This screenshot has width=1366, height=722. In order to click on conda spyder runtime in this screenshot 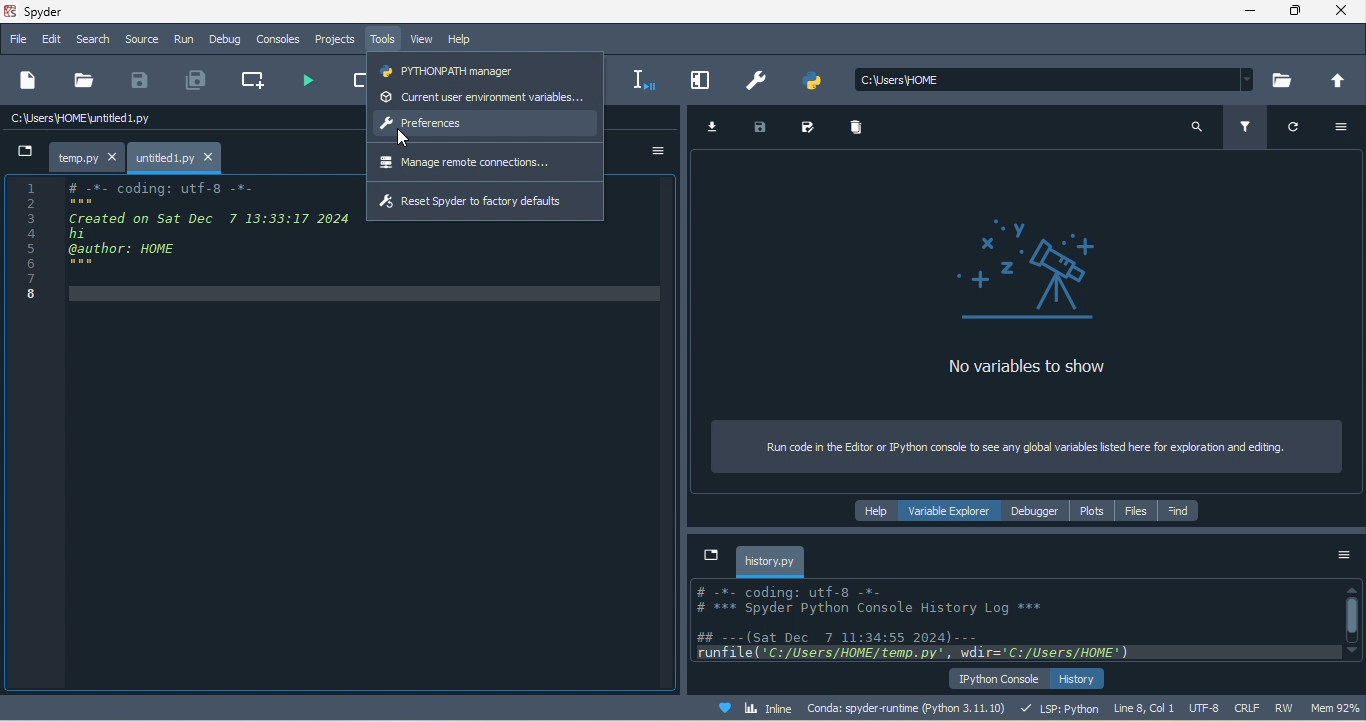, I will do `click(911, 708)`.